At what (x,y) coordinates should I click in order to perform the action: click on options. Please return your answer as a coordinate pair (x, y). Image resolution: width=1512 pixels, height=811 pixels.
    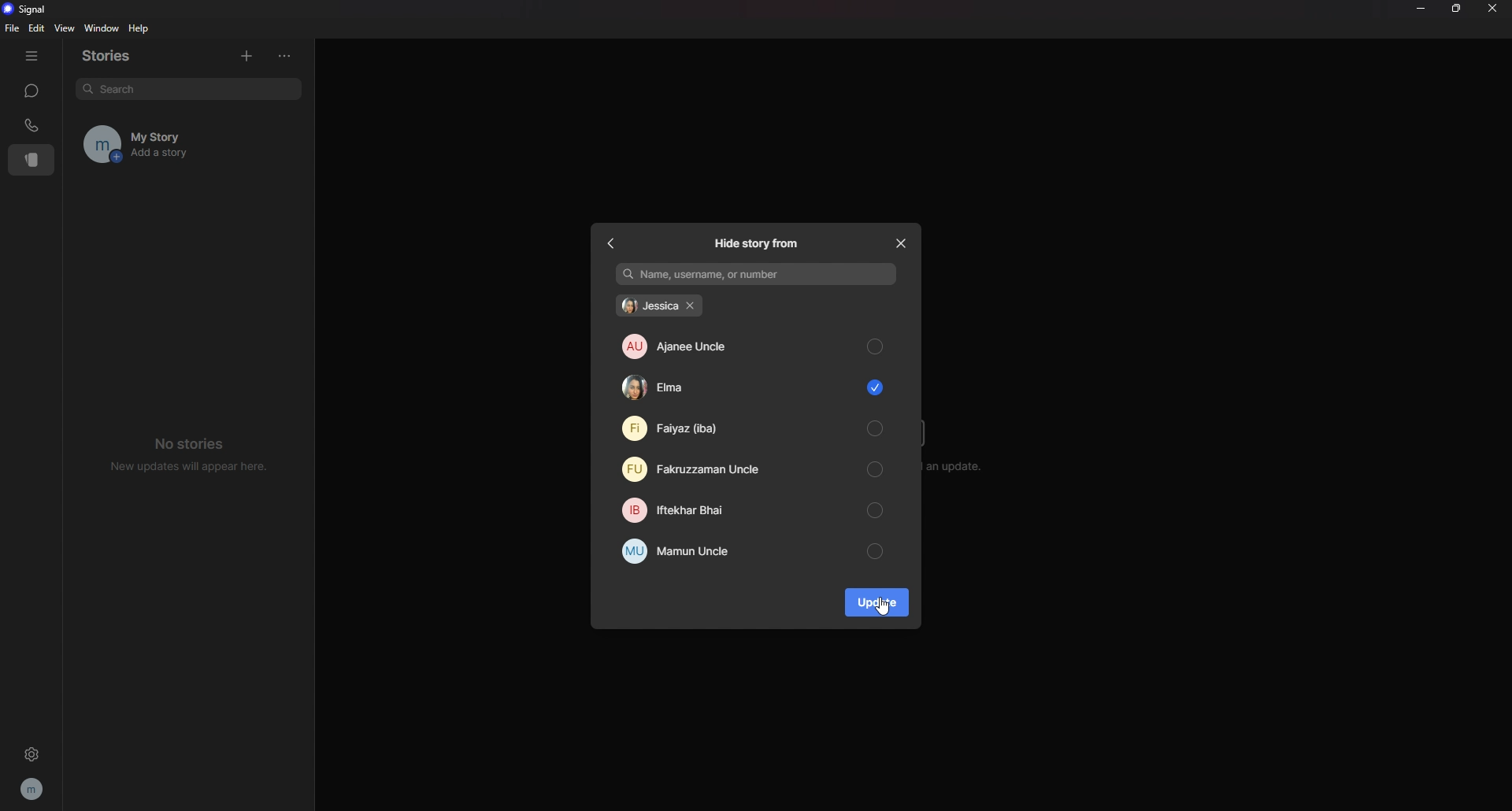
    Looking at the image, I should click on (289, 56).